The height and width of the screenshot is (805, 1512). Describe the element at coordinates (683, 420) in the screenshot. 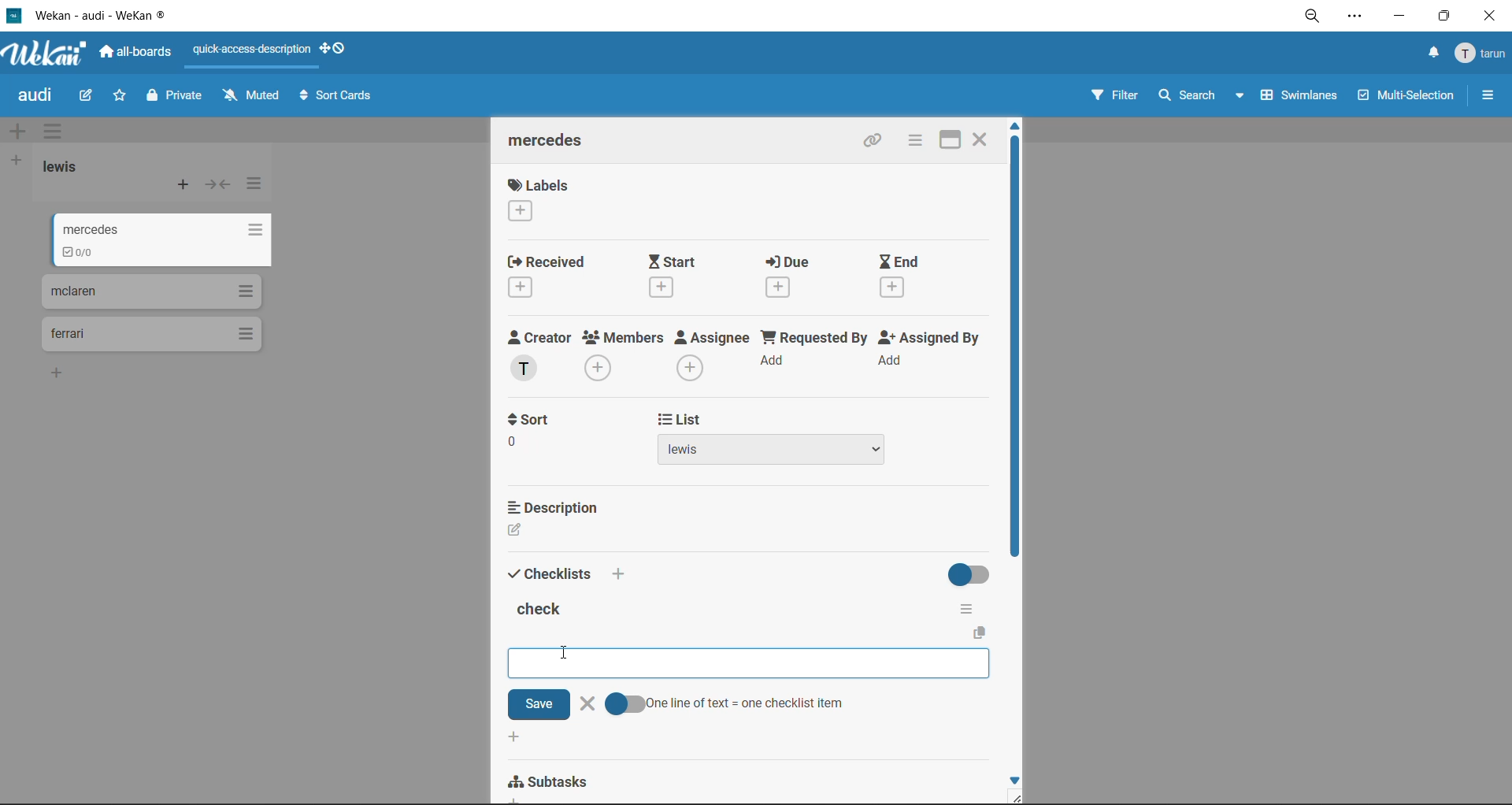

I see `list` at that location.